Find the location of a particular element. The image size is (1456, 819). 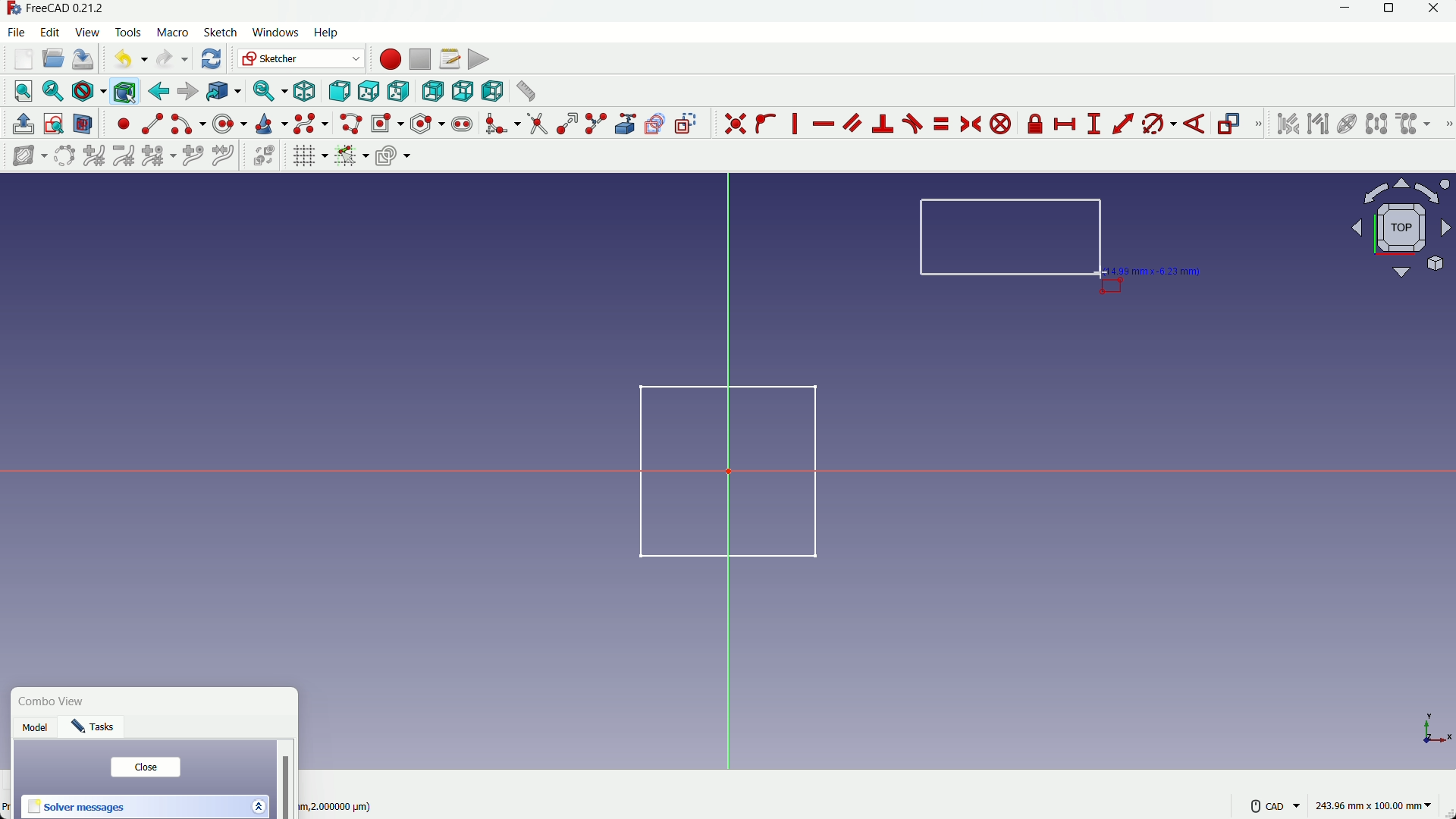

view section is located at coordinates (83, 125).